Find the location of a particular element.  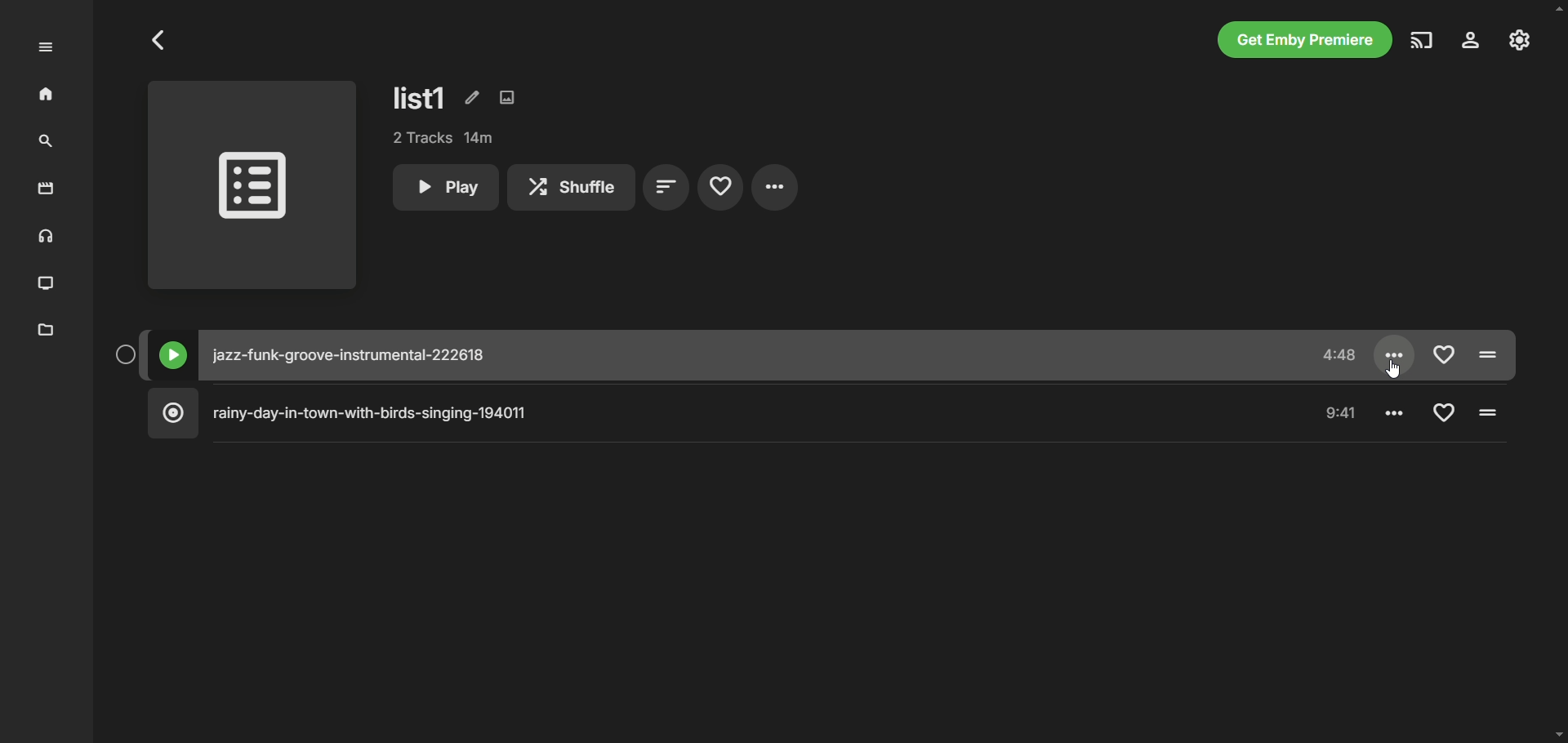

settings is located at coordinates (775, 187).